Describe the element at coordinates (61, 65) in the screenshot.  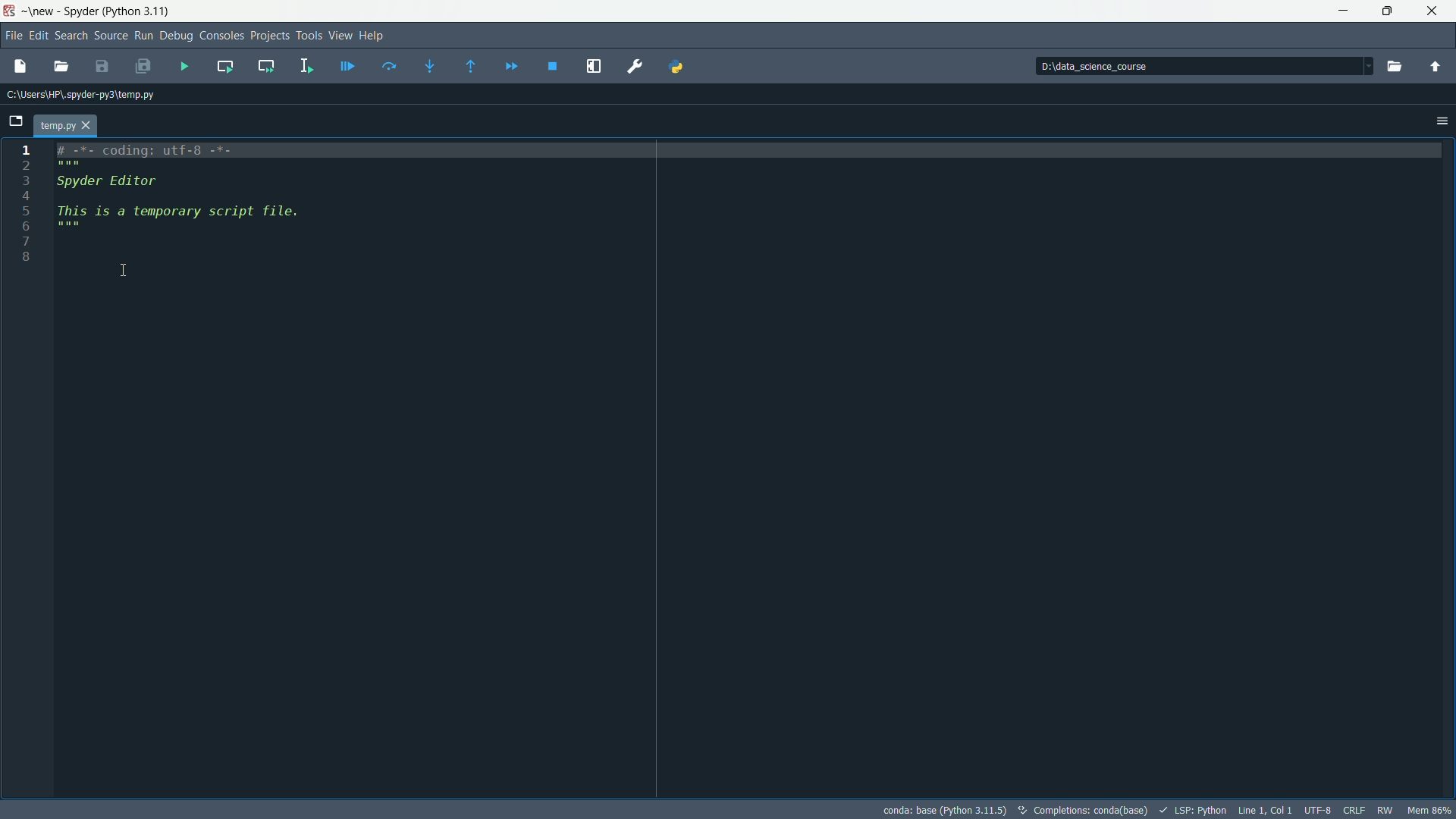
I see `open file` at that location.